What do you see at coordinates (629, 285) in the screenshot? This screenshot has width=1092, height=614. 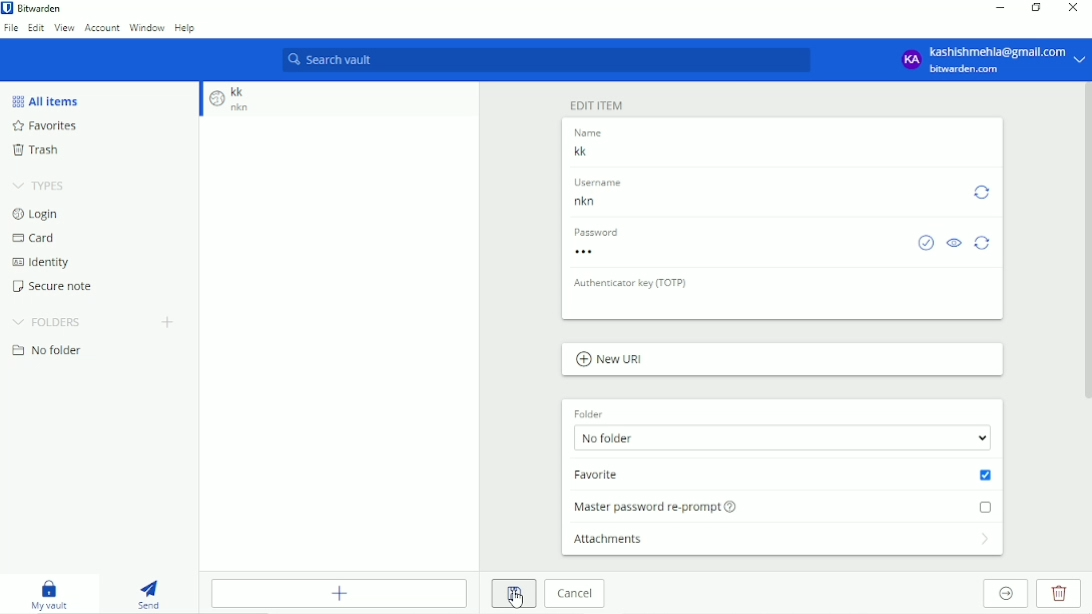 I see `Authenticator key` at bounding box center [629, 285].